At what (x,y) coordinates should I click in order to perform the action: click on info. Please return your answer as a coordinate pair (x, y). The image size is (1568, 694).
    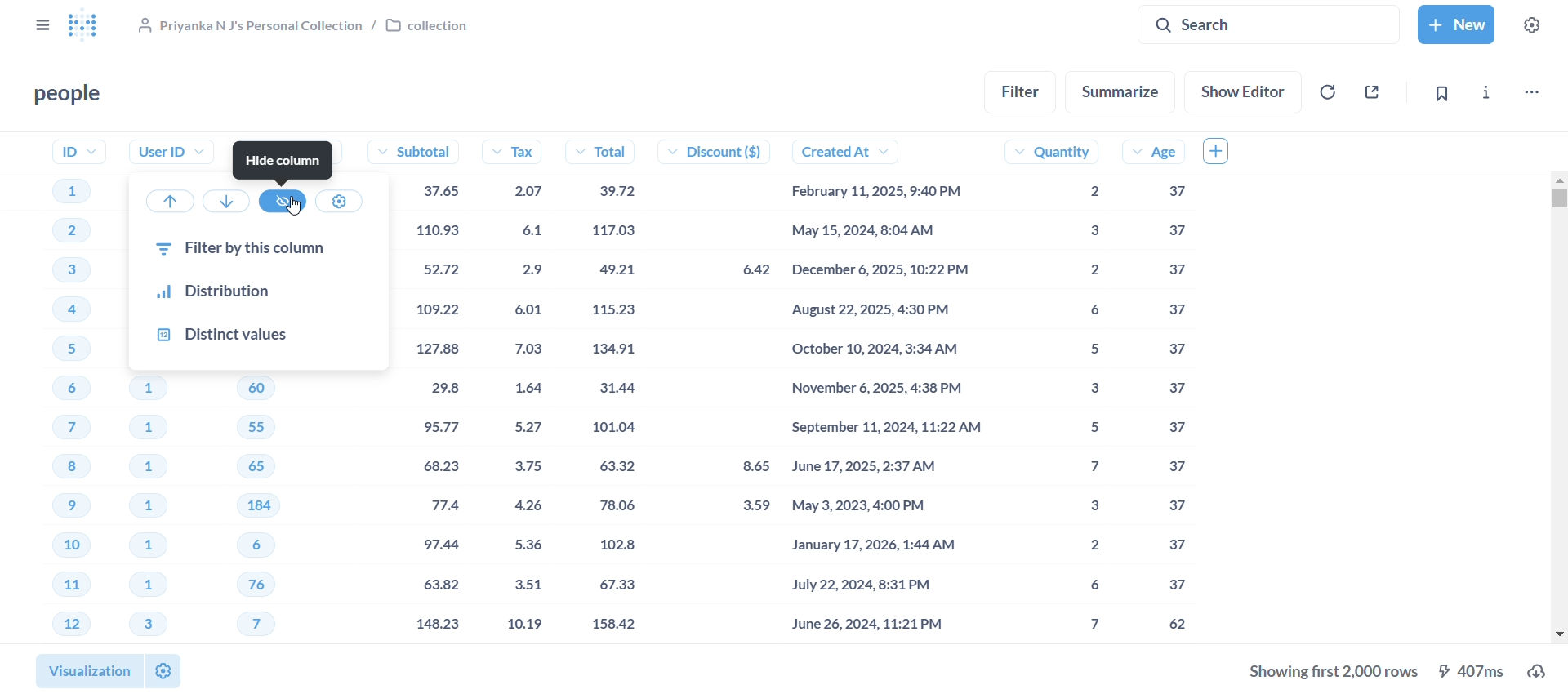
    Looking at the image, I should click on (1486, 91).